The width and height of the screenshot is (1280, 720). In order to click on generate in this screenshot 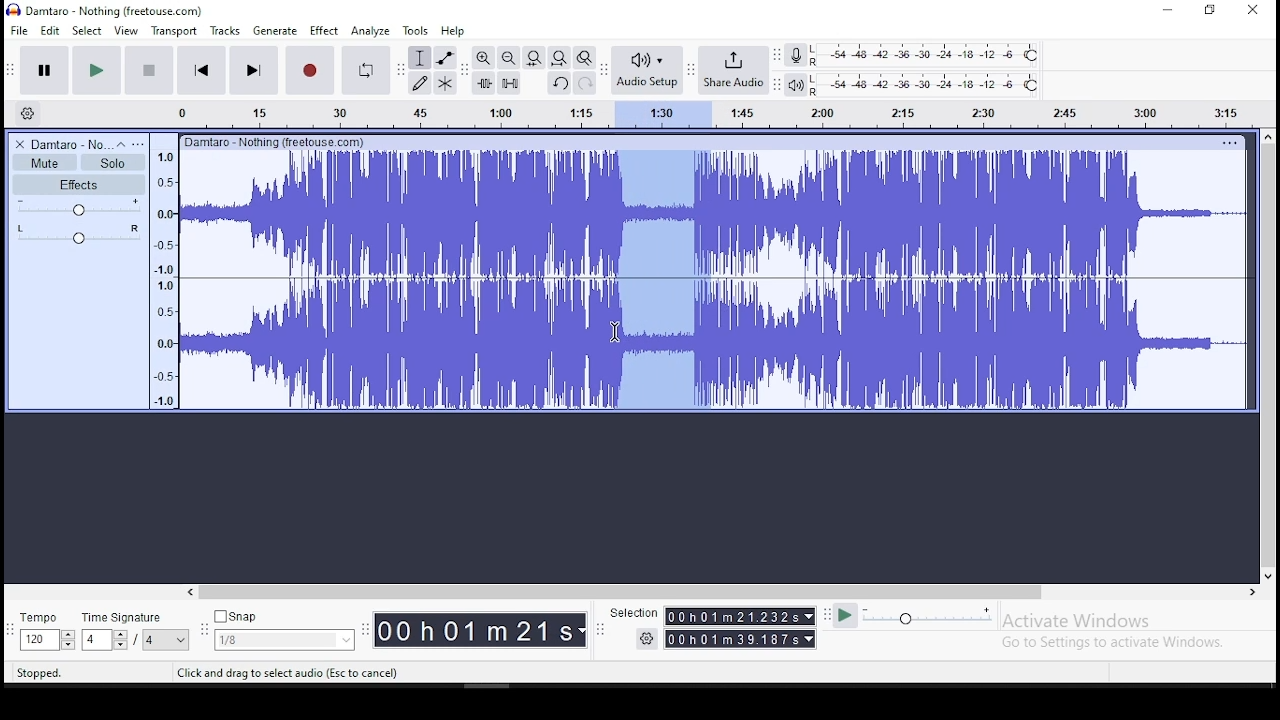, I will do `click(273, 31)`.